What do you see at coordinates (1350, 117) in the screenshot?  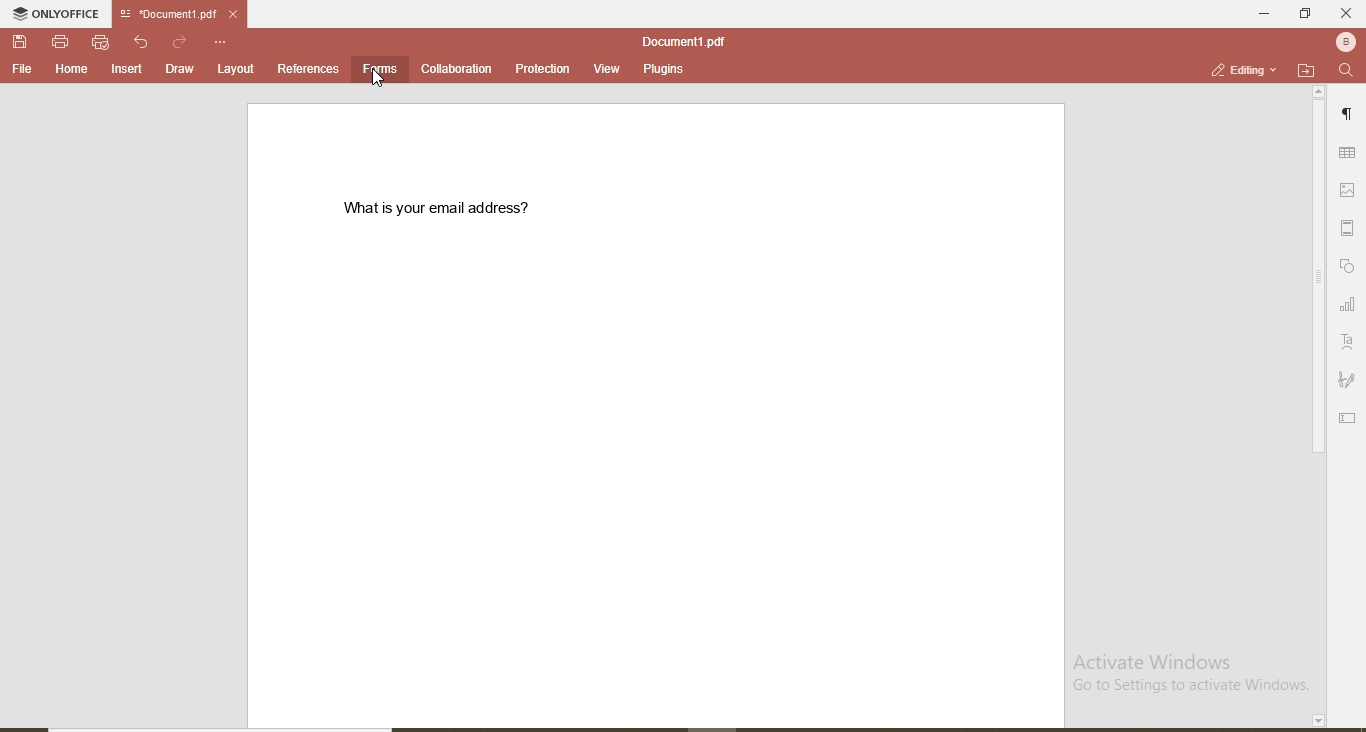 I see `paragraph` at bounding box center [1350, 117].